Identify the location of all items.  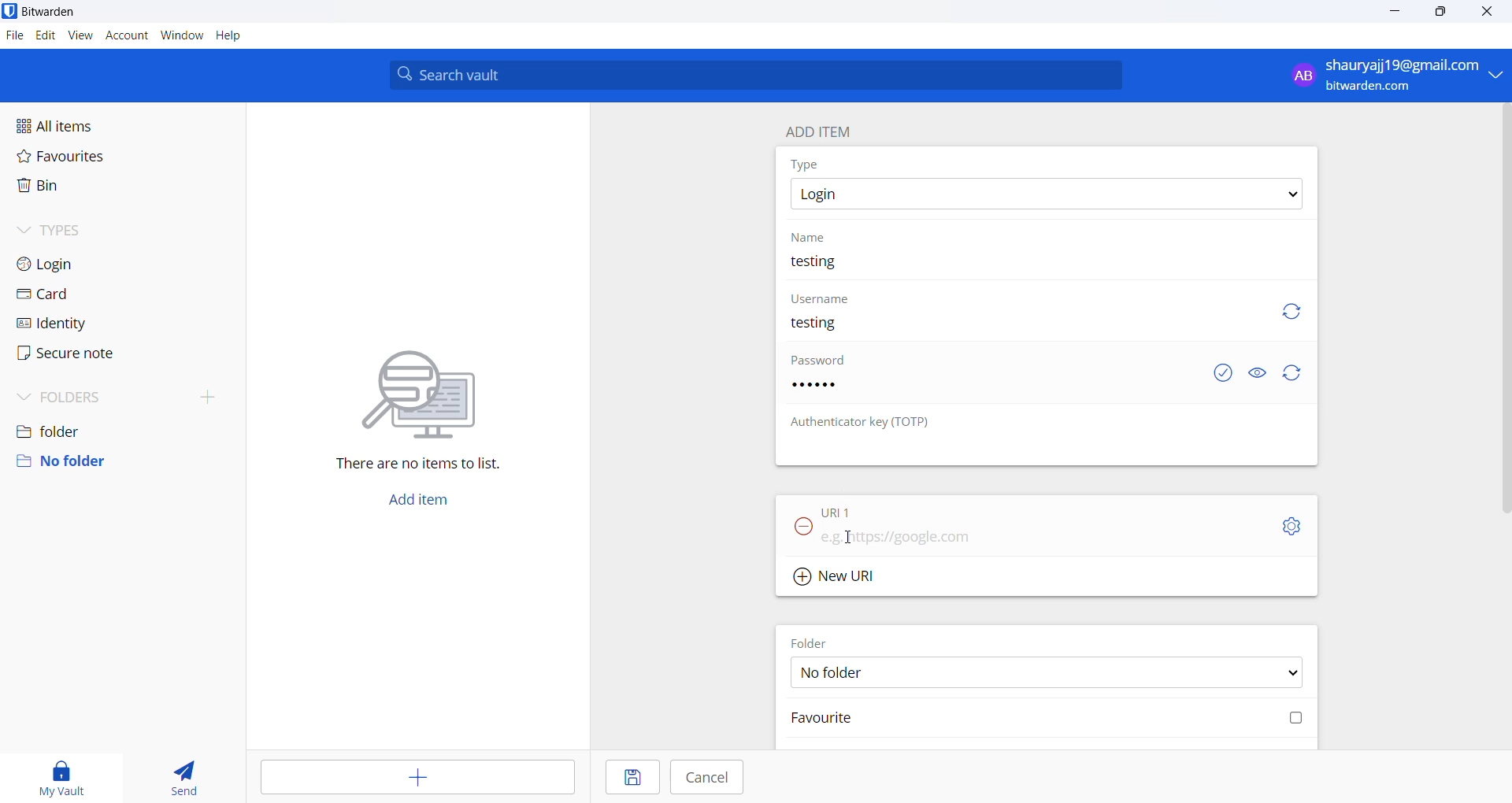
(91, 123).